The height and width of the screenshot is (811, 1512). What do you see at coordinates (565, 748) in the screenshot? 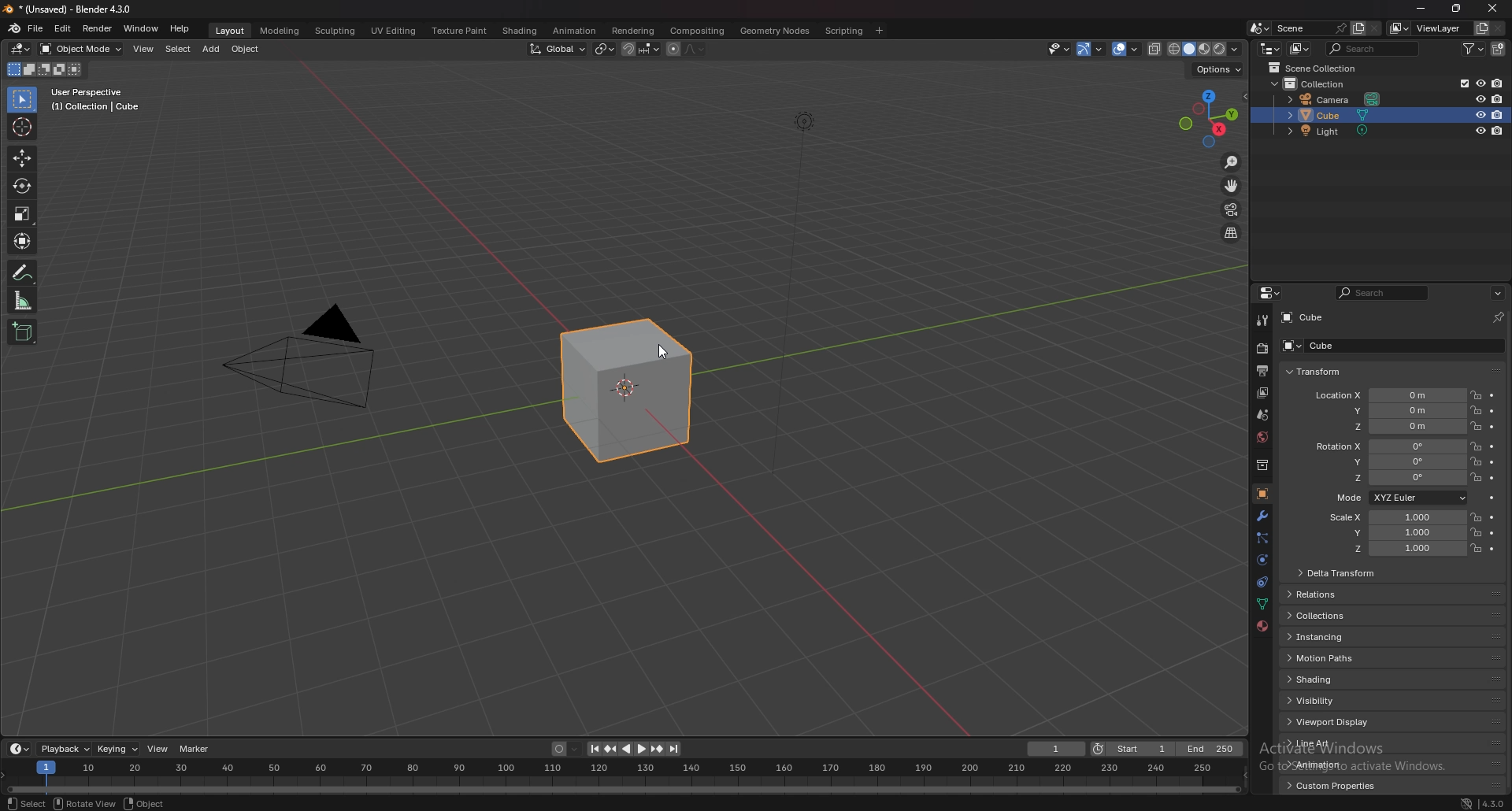
I see `auto keying` at bounding box center [565, 748].